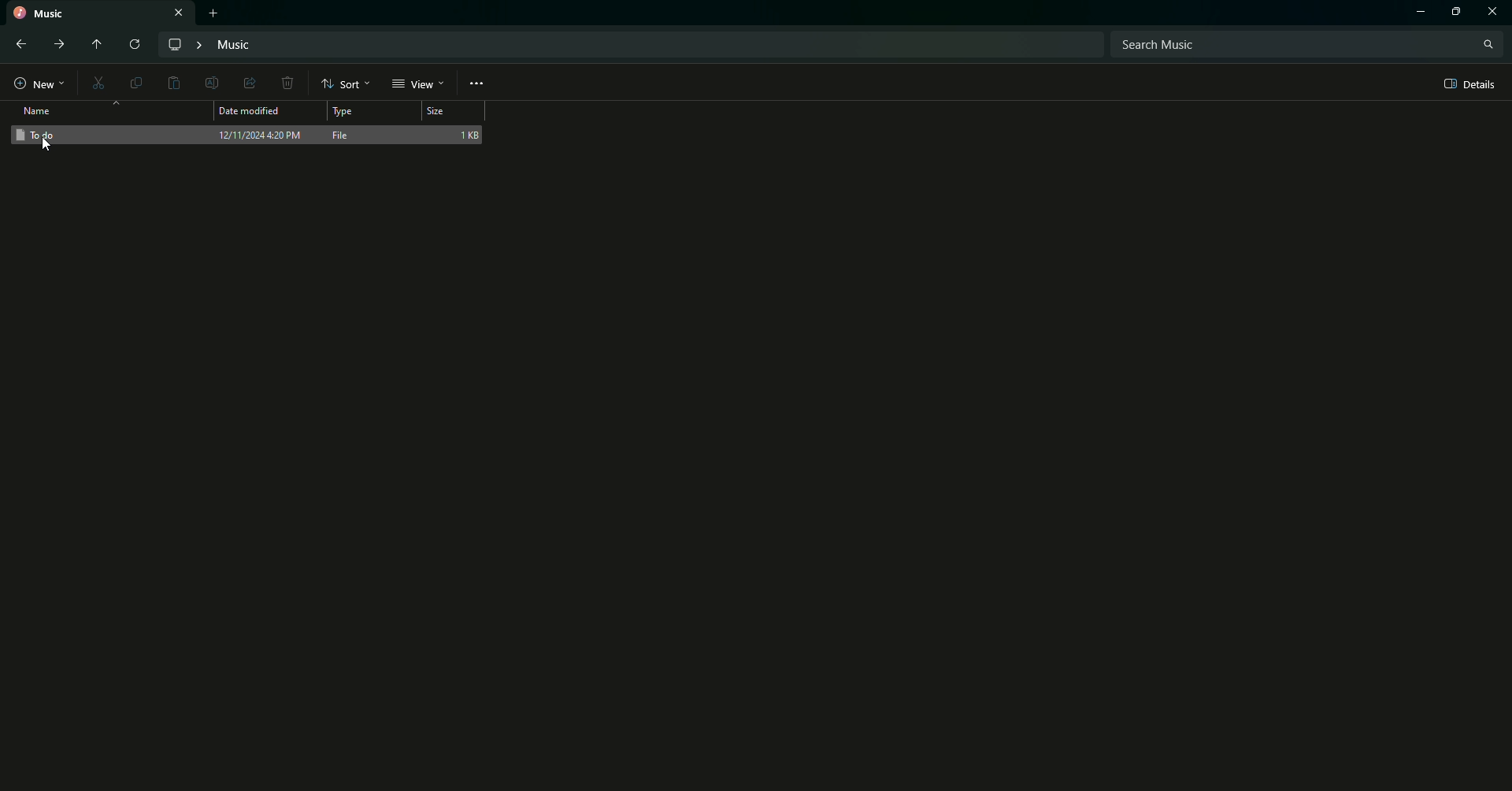 The width and height of the screenshot is (1512, 791). I want to click on Date modified, so click(253, 110).